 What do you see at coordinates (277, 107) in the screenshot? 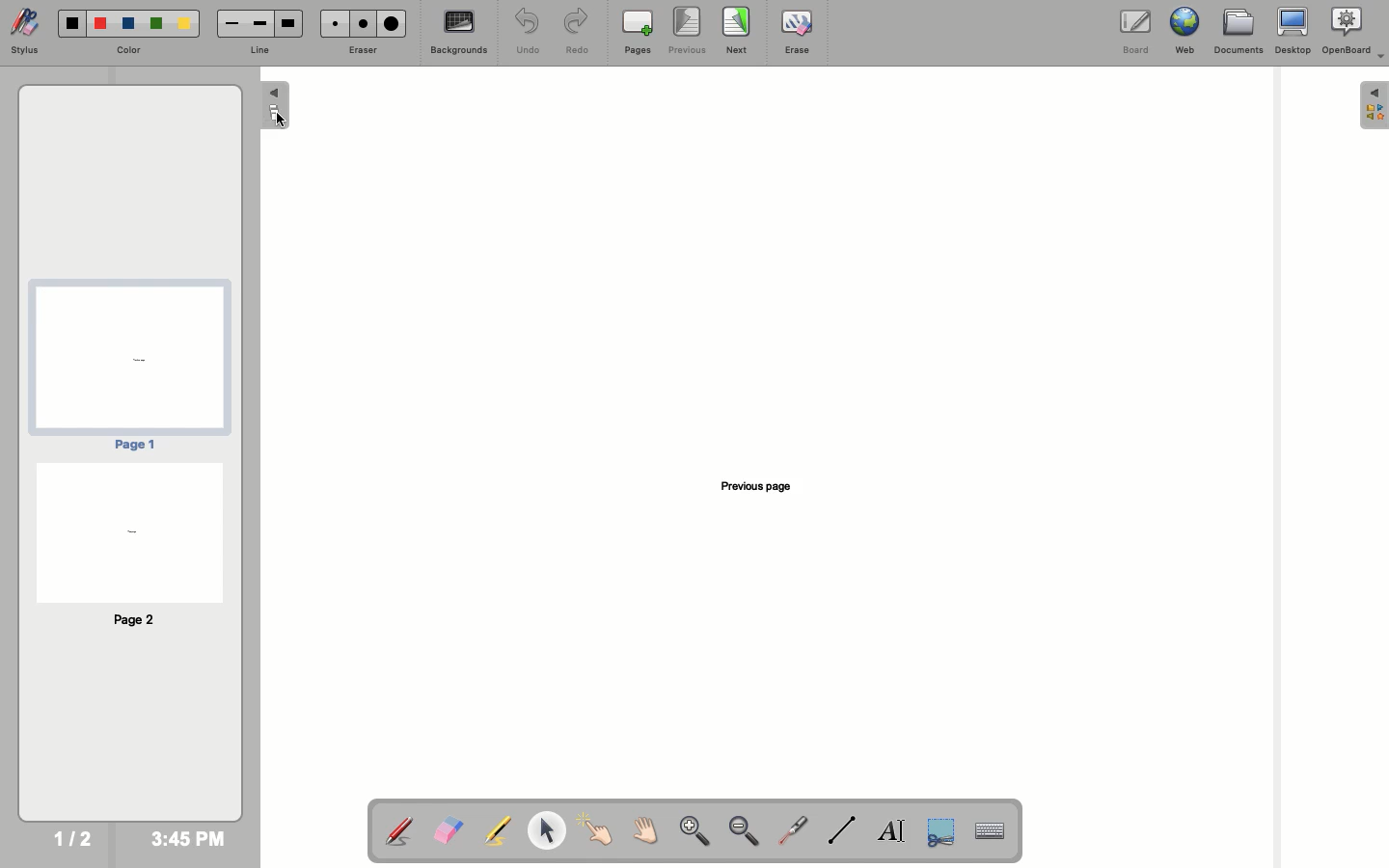
I see `The flatplan (left panel)` at bounding box center [277, 107].